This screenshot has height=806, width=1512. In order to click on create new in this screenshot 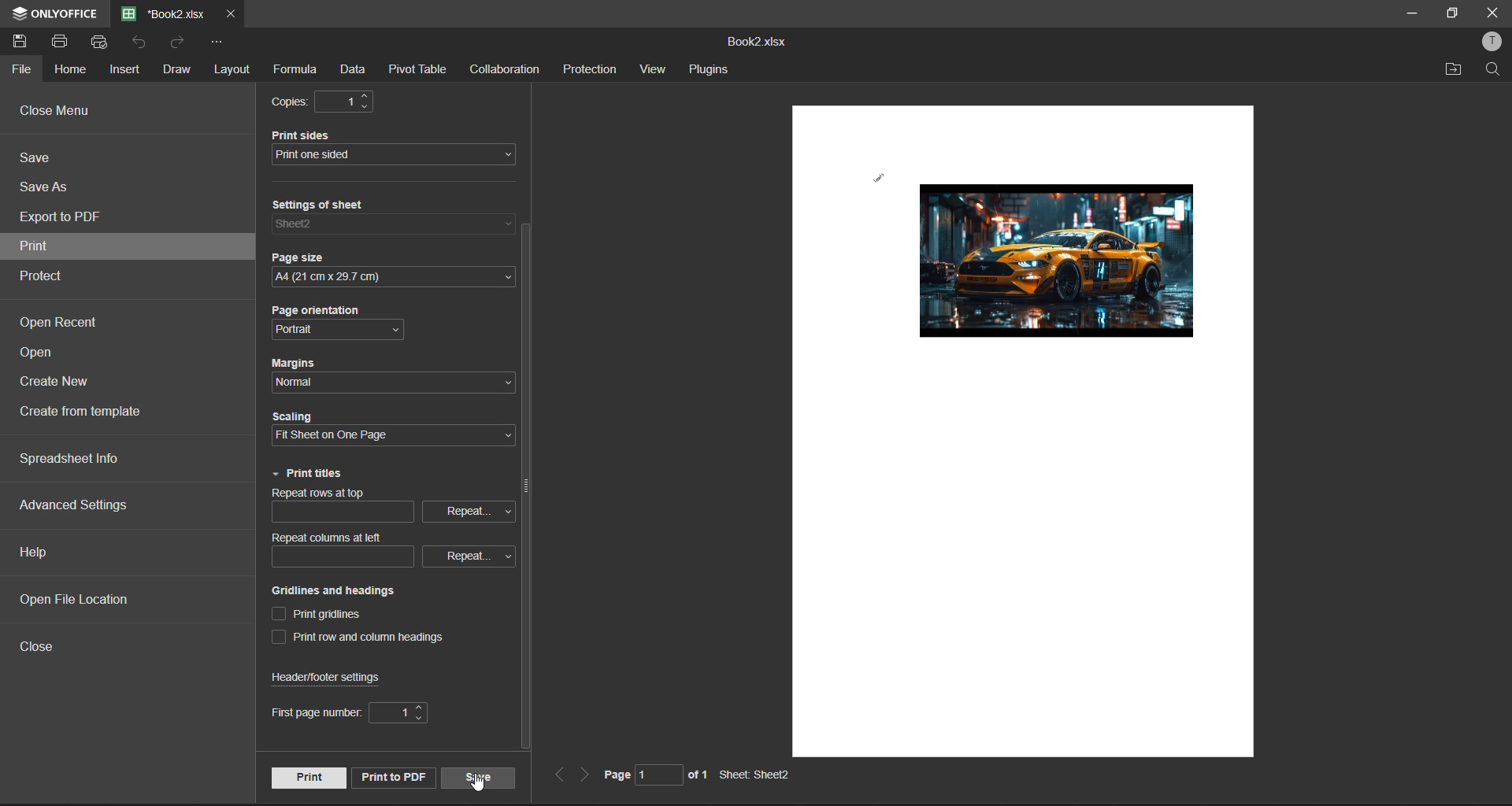, I will do `click(59, 385)`.